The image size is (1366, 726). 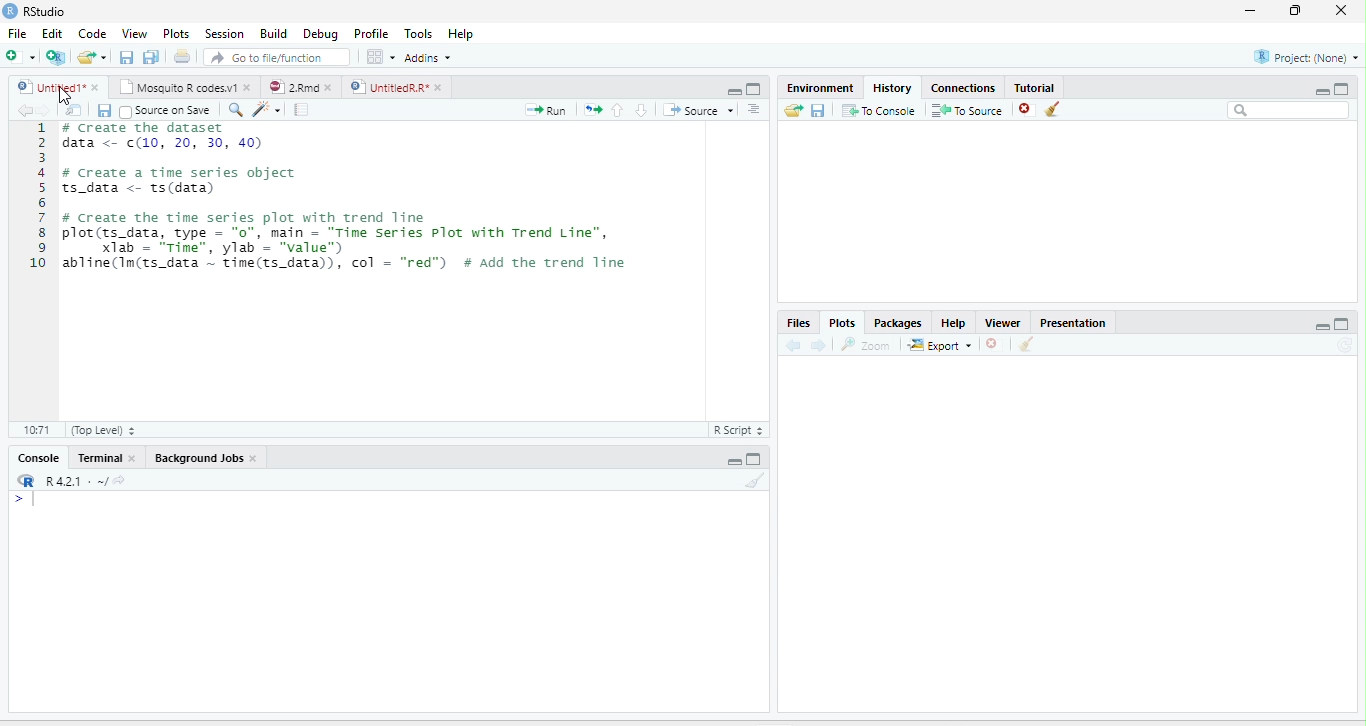 What do you see at coordinates (102, 430) in the screenshot?
I see `(Top Level)` at bounding box center [102, 430].